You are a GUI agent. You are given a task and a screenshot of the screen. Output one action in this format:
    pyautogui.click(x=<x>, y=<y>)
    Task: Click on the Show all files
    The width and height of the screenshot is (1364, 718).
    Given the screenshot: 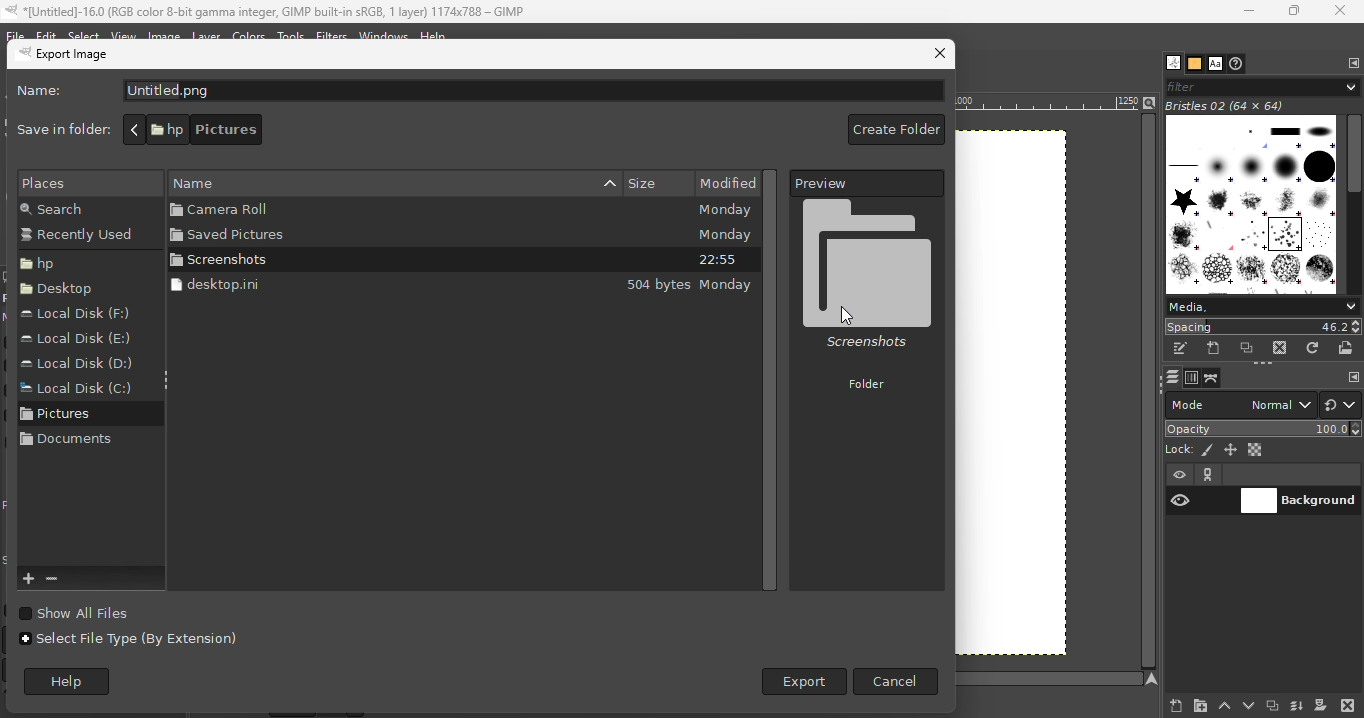 What is the action you would take?
    pyautogui.click(x=93, y=612)
    